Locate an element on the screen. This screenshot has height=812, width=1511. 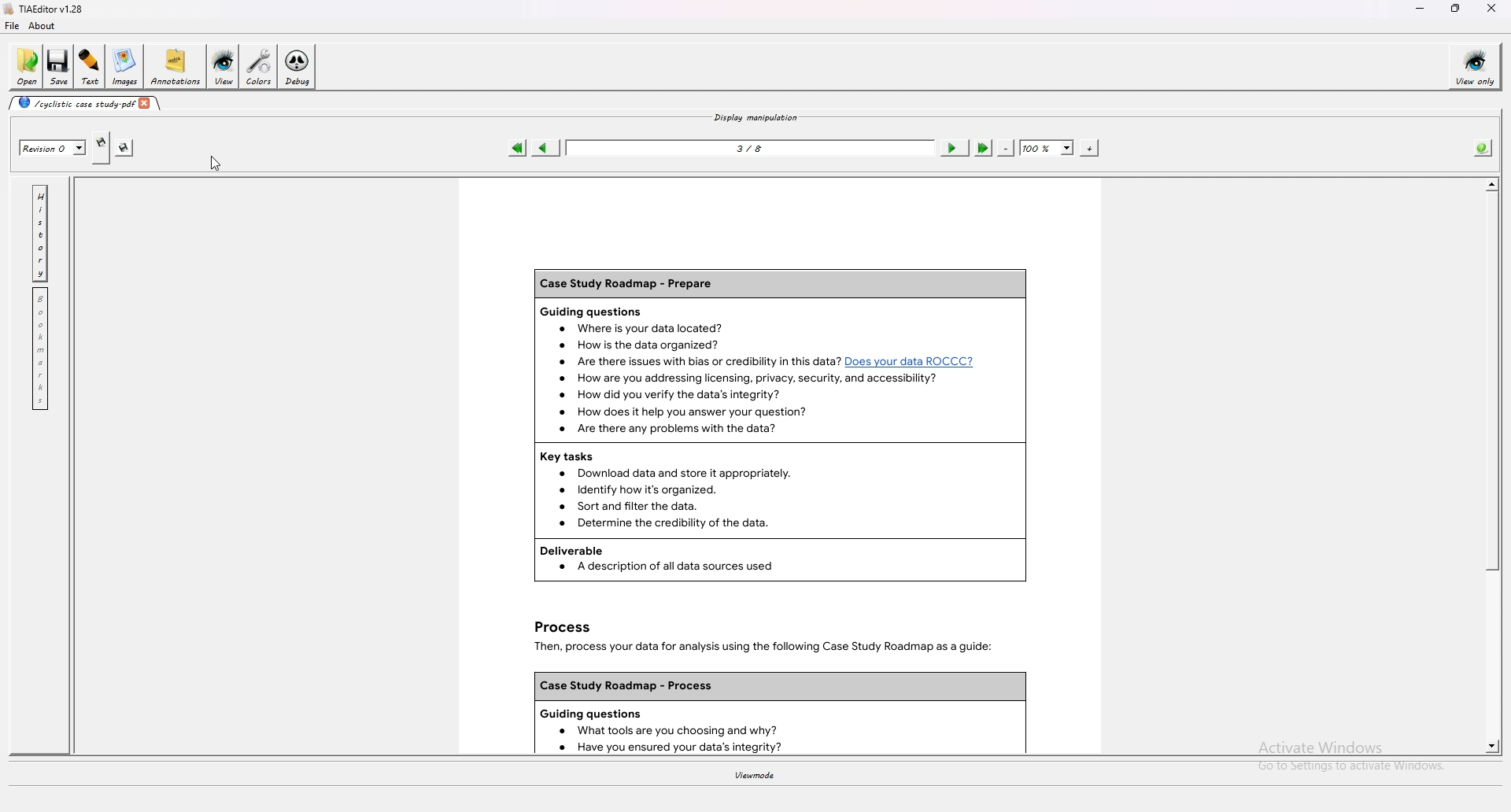
Process is located at coordinates (564, 626).